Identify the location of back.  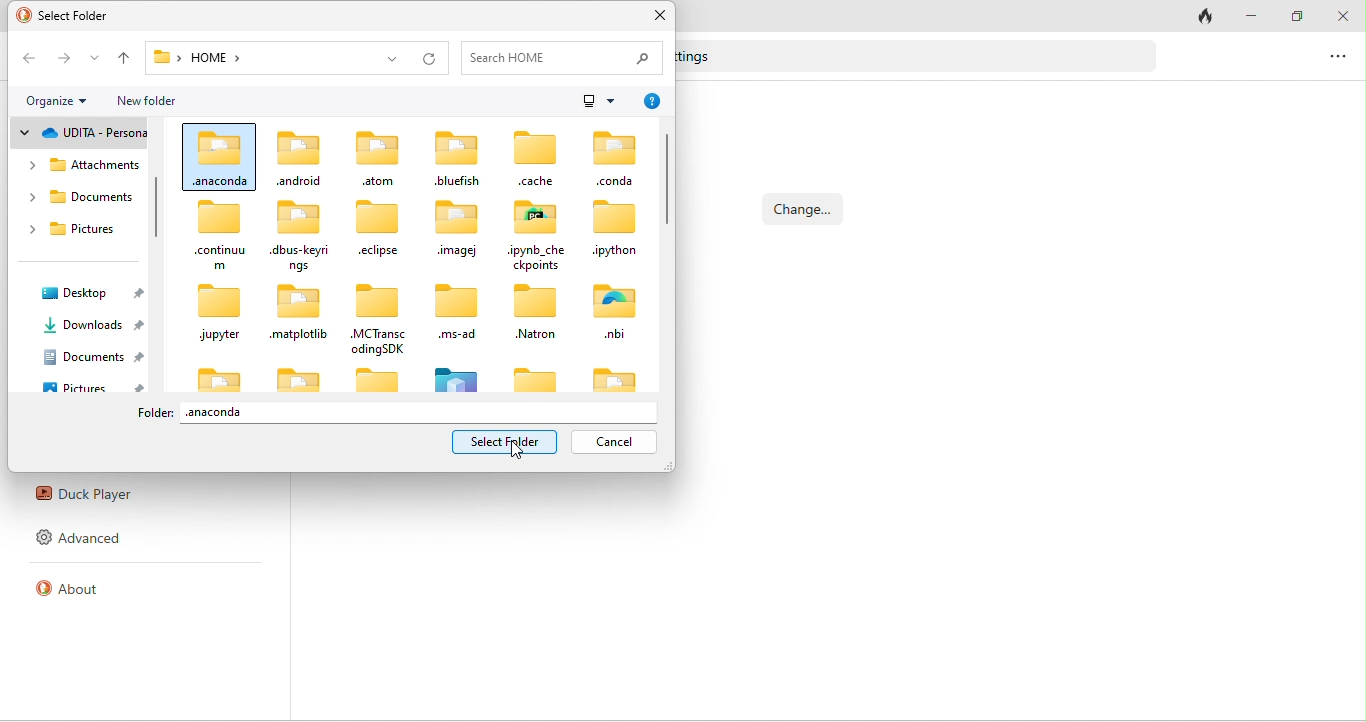
(25, 59).